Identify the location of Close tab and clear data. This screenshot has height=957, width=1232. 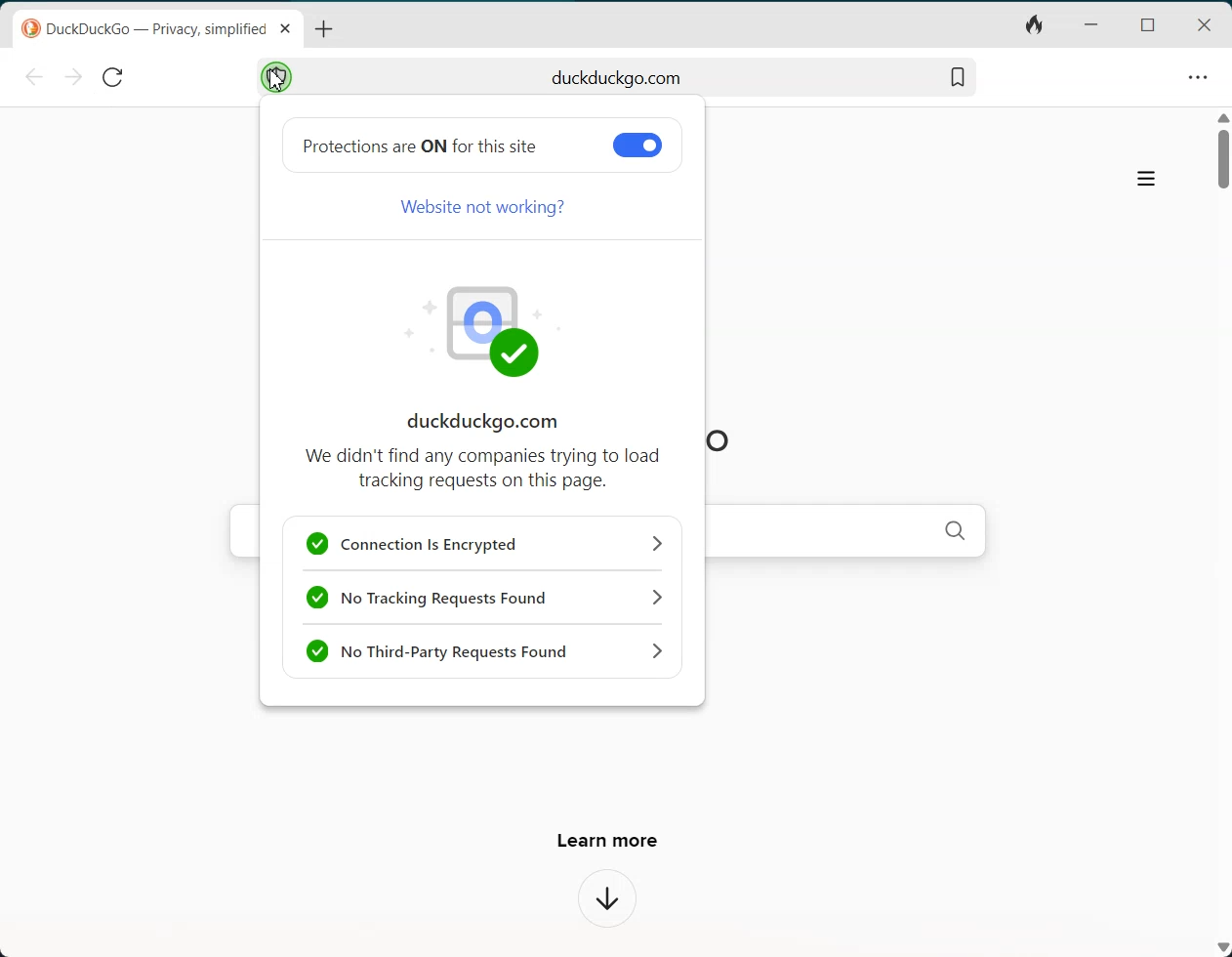
(1033, 27).